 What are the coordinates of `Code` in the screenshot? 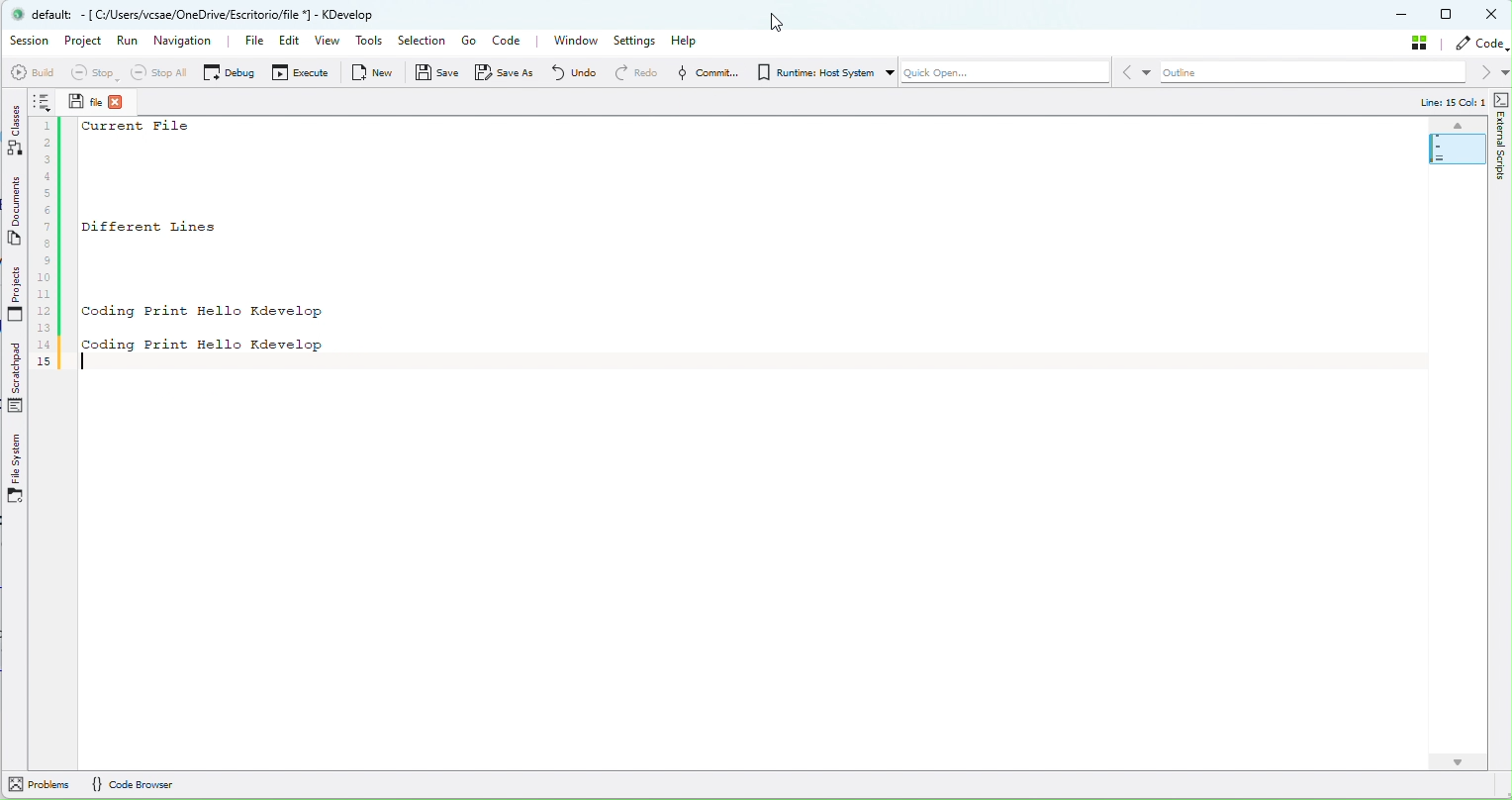 It's located at (512, 43).